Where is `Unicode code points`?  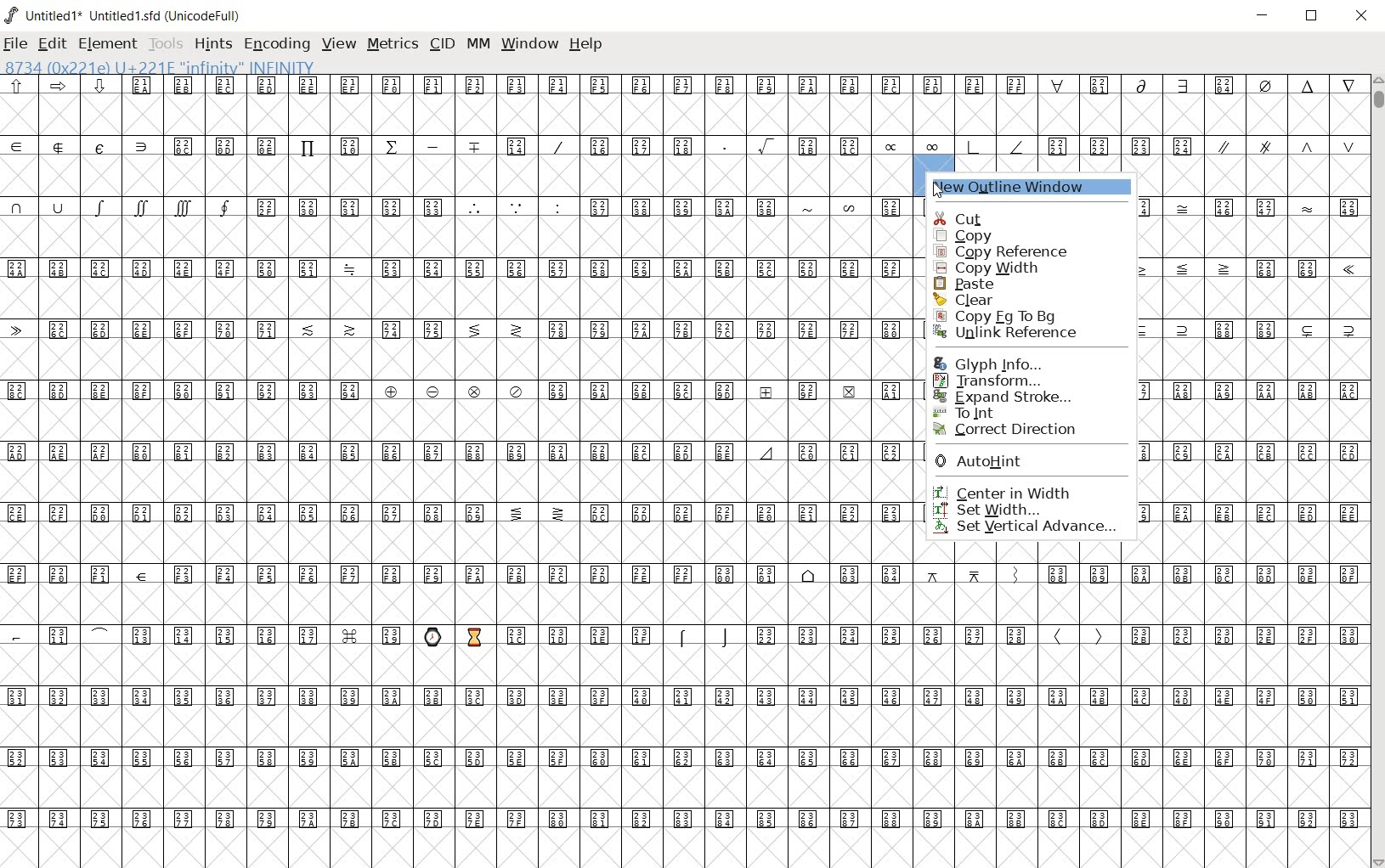 Unicode code points is located at coordinates (682, 572).